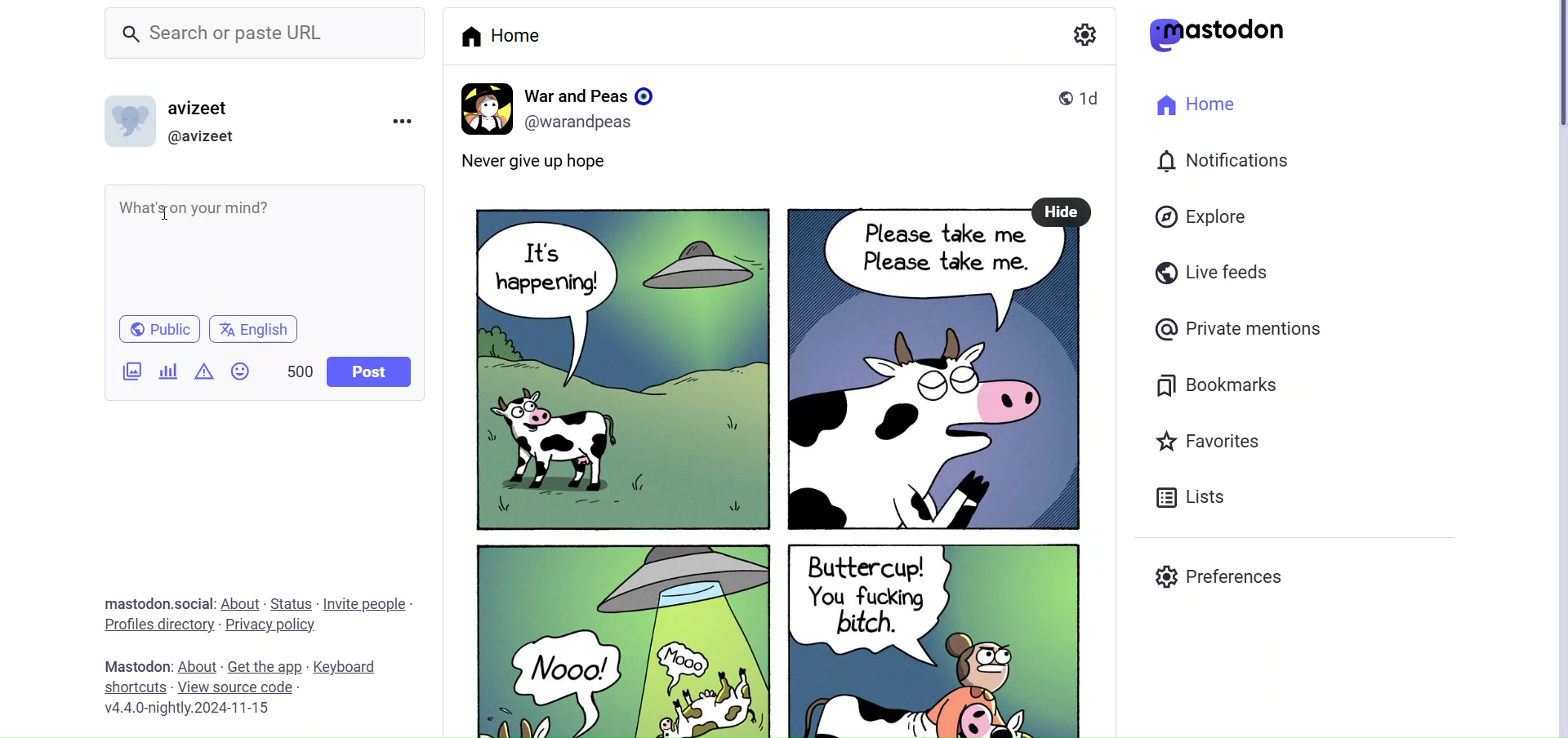  What do you see at coordinates (187, 710) in the screenshot?
I see `v4.4.0-nightly.2024-11-15` at bounding box center [187, 710].